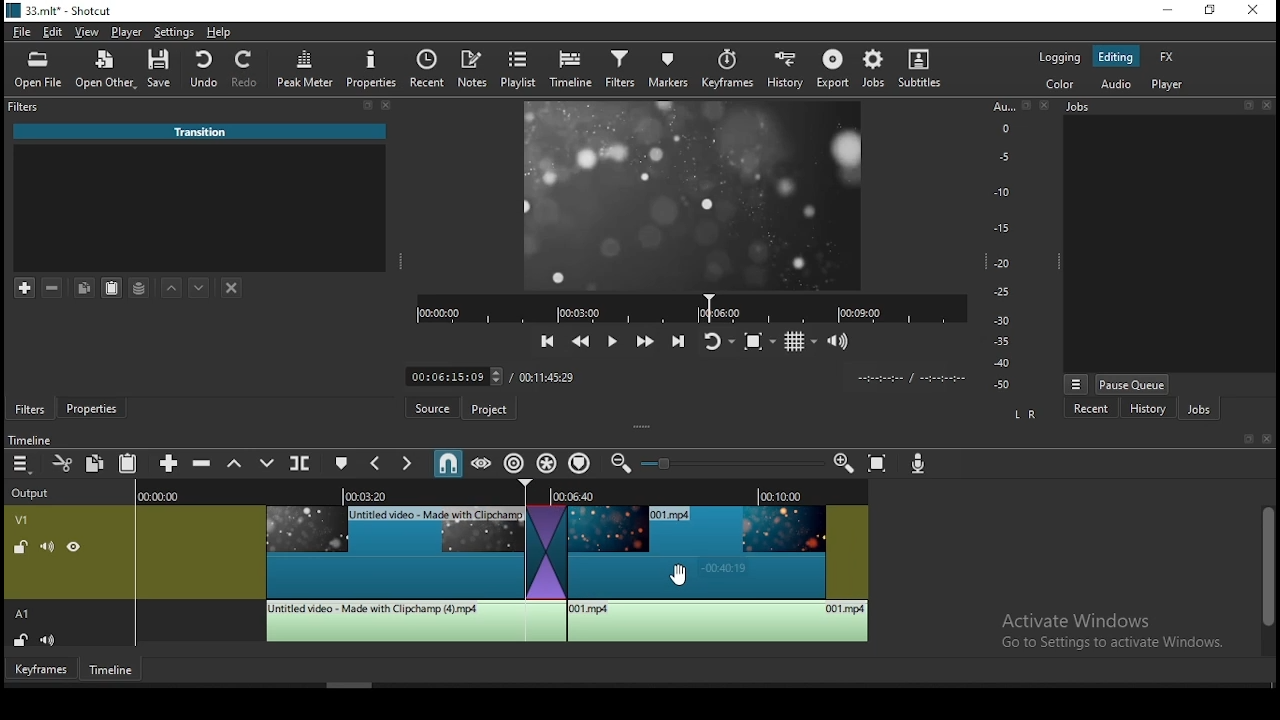 This screenshot has height=720, width=1280. I want to click on restore, so click(1209, 11).